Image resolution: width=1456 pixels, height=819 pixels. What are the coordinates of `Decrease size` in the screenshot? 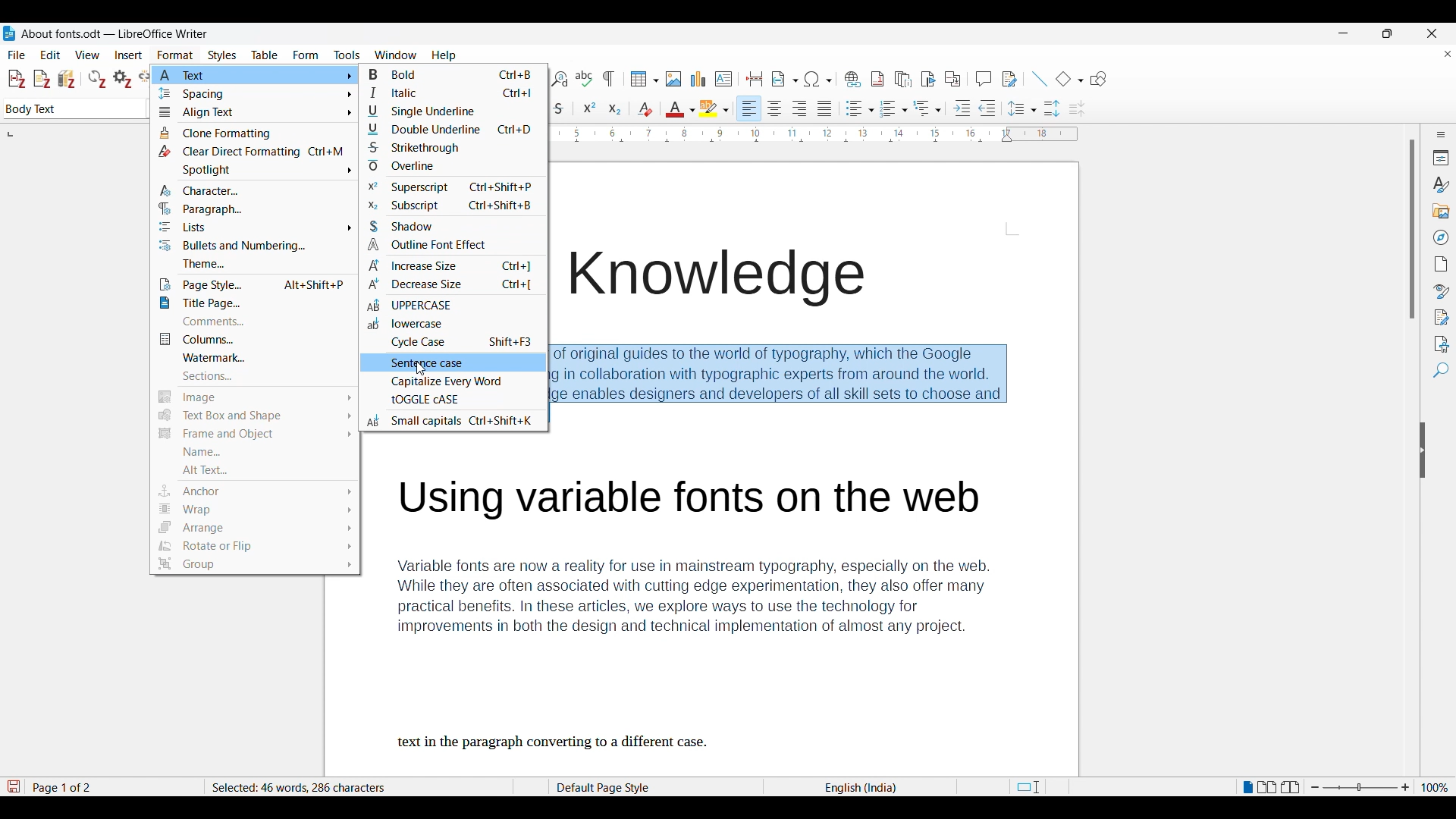 It's located at (450, 284).